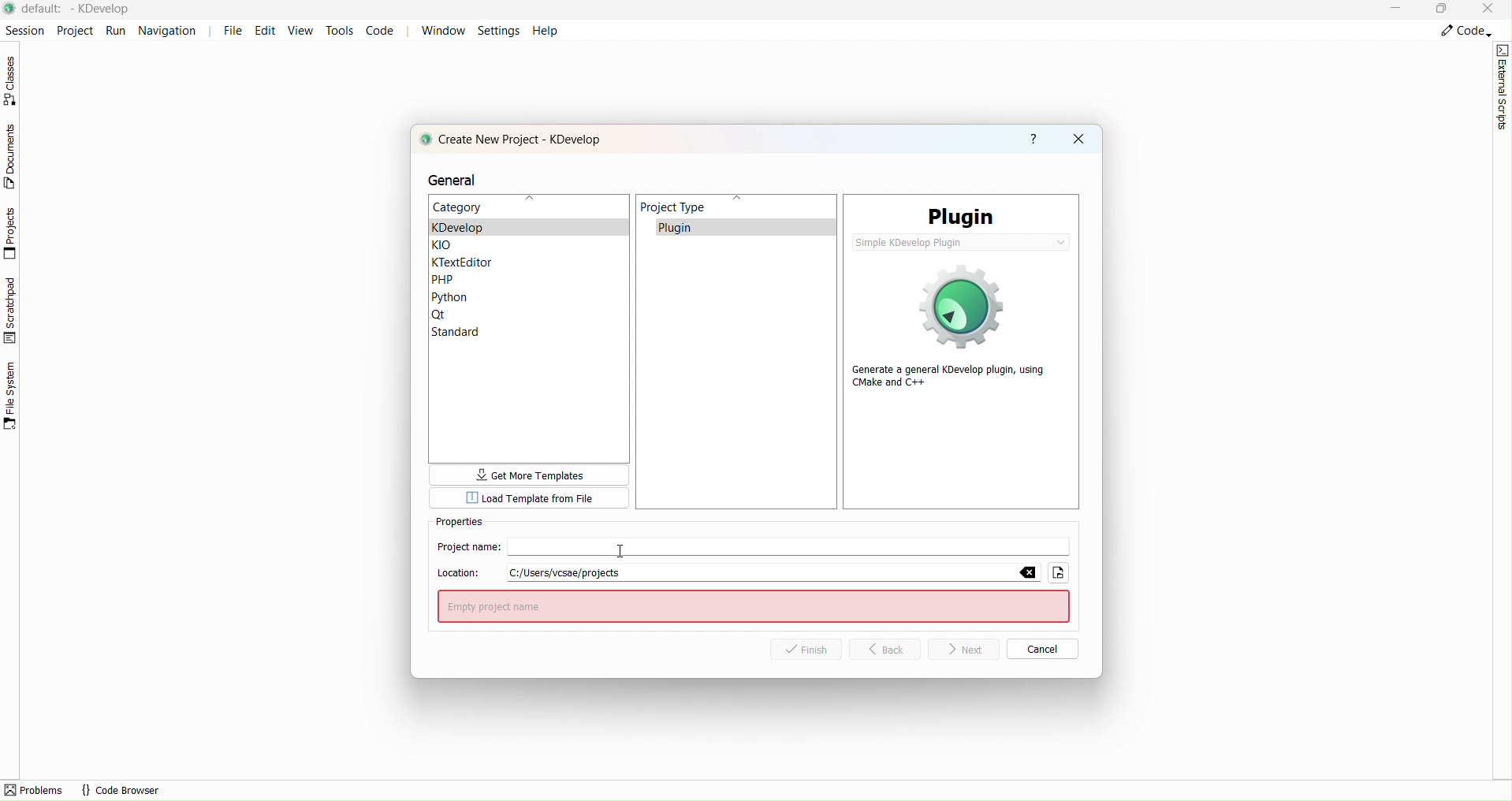 Image resolution: width=1512 pixels, height=801 pixels. What do you see at coordinates (304, 32) in the screenshot?
I see `View` at bounding box center [304, 32].